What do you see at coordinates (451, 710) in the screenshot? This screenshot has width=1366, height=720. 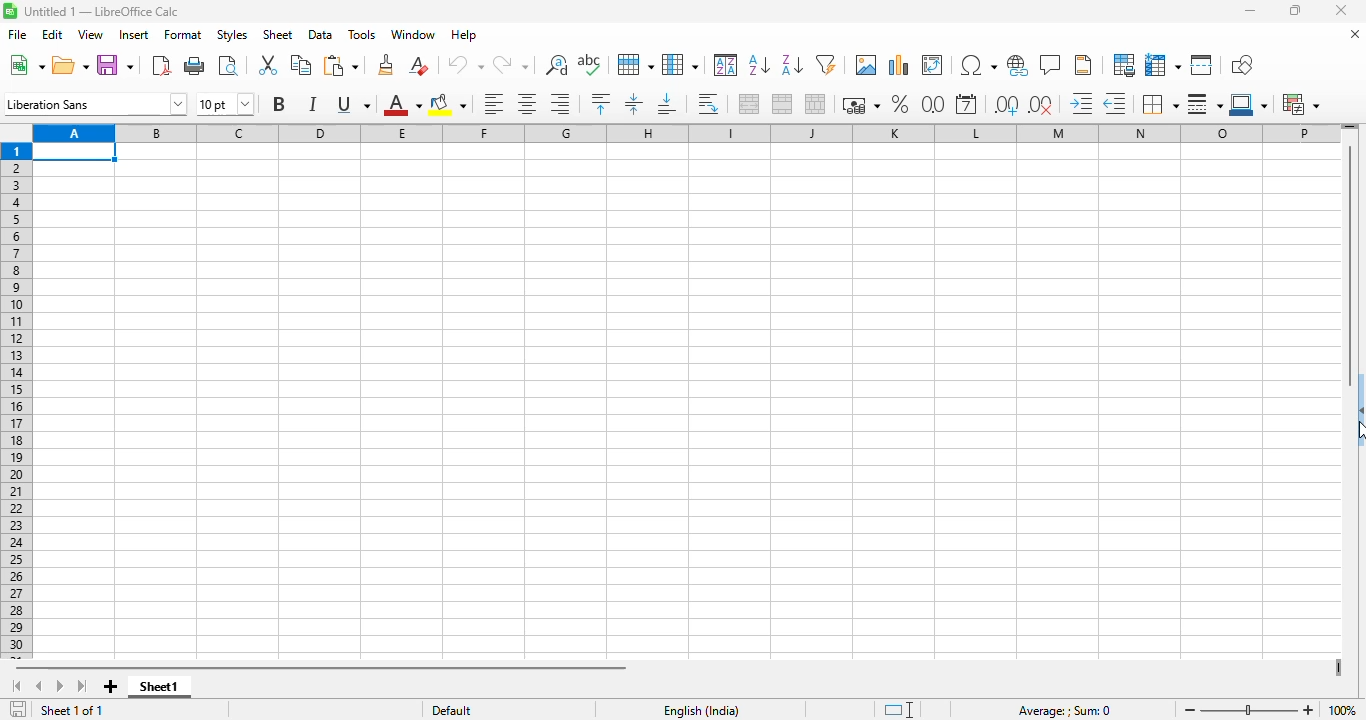 I see `default` at bounding box center [451, 710].